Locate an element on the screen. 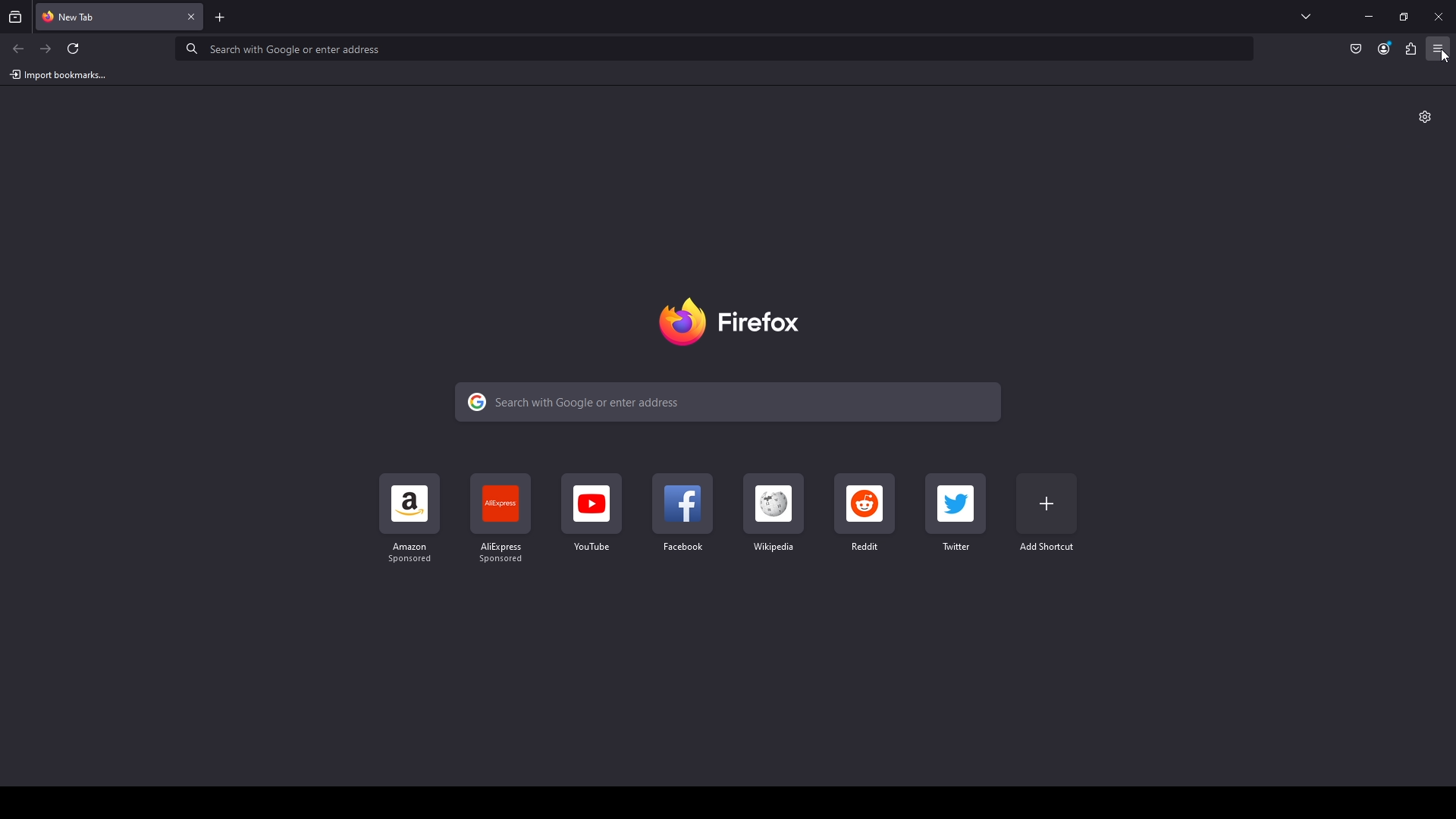 The height and width of the screenshot is (819, 1456). New Tab is located at coordinates (106, 15).